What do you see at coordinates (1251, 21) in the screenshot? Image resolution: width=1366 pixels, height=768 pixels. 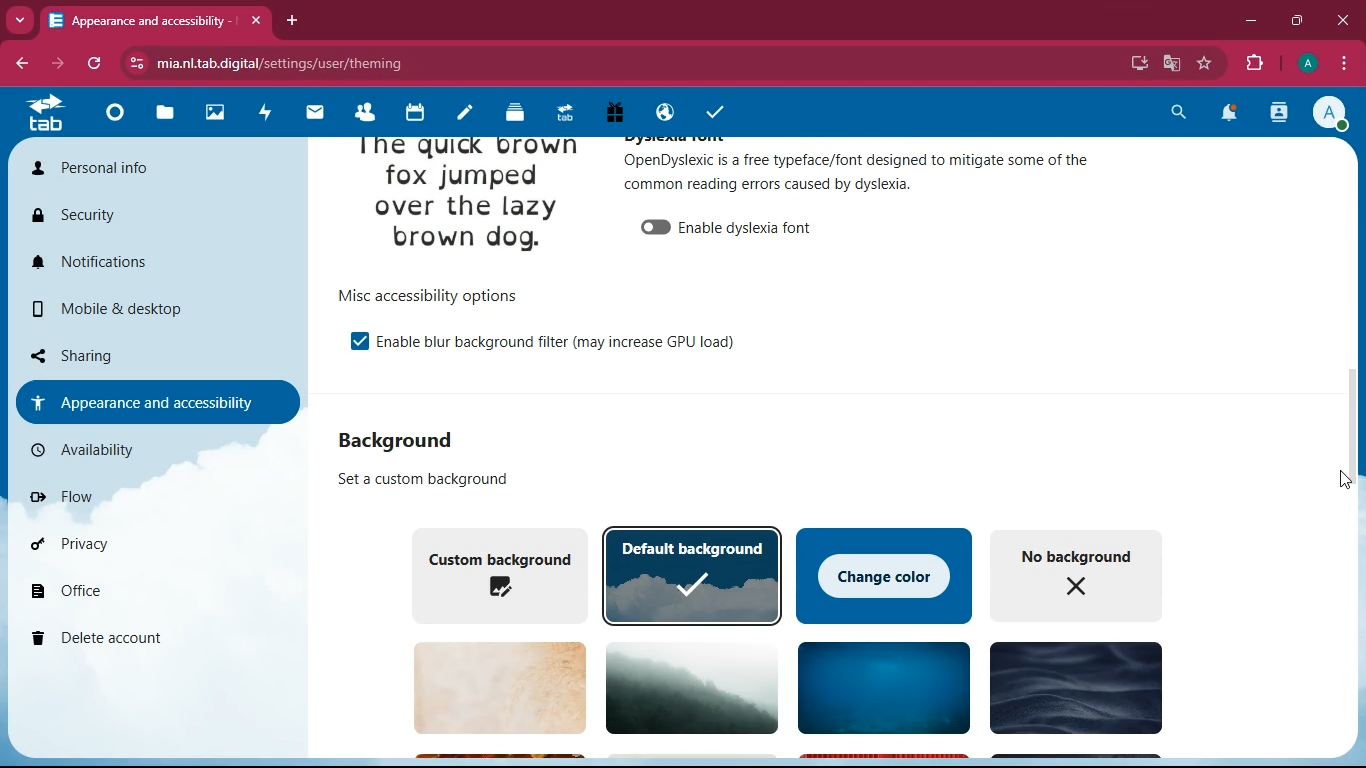 I see `minimize` at bounding box center [1251, 21].